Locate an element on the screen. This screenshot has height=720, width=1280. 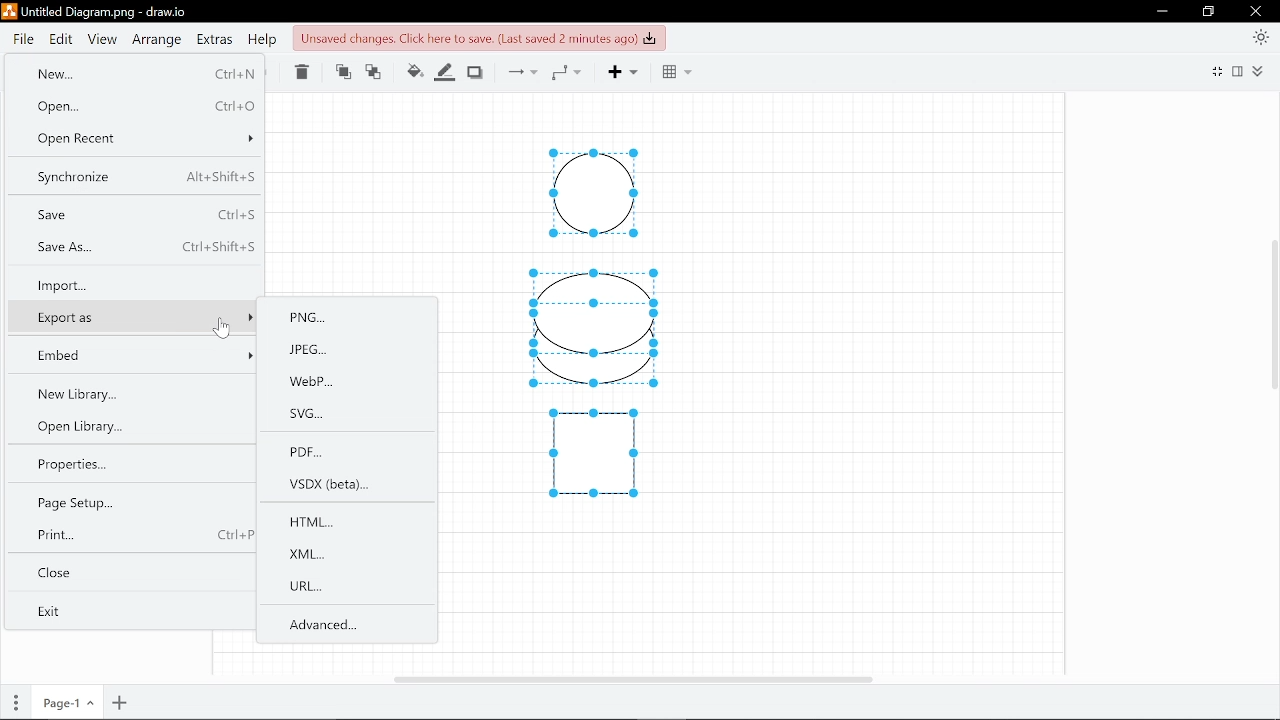
Pages is located at coordinates (16, 701).